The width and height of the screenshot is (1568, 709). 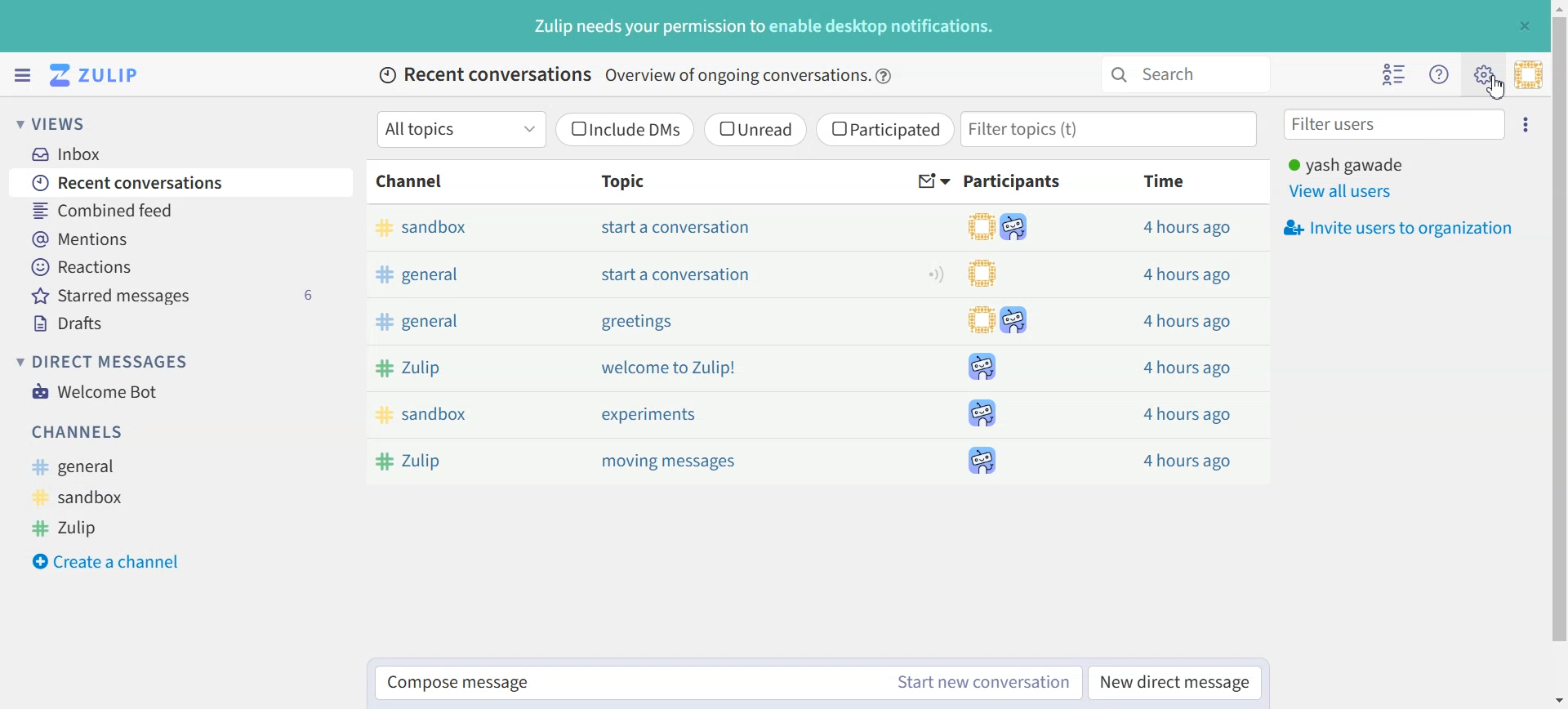 What do you see at coordinates (1015, 181) in the screenshot?
I see `Participants` at bounding box center [1015, 181].